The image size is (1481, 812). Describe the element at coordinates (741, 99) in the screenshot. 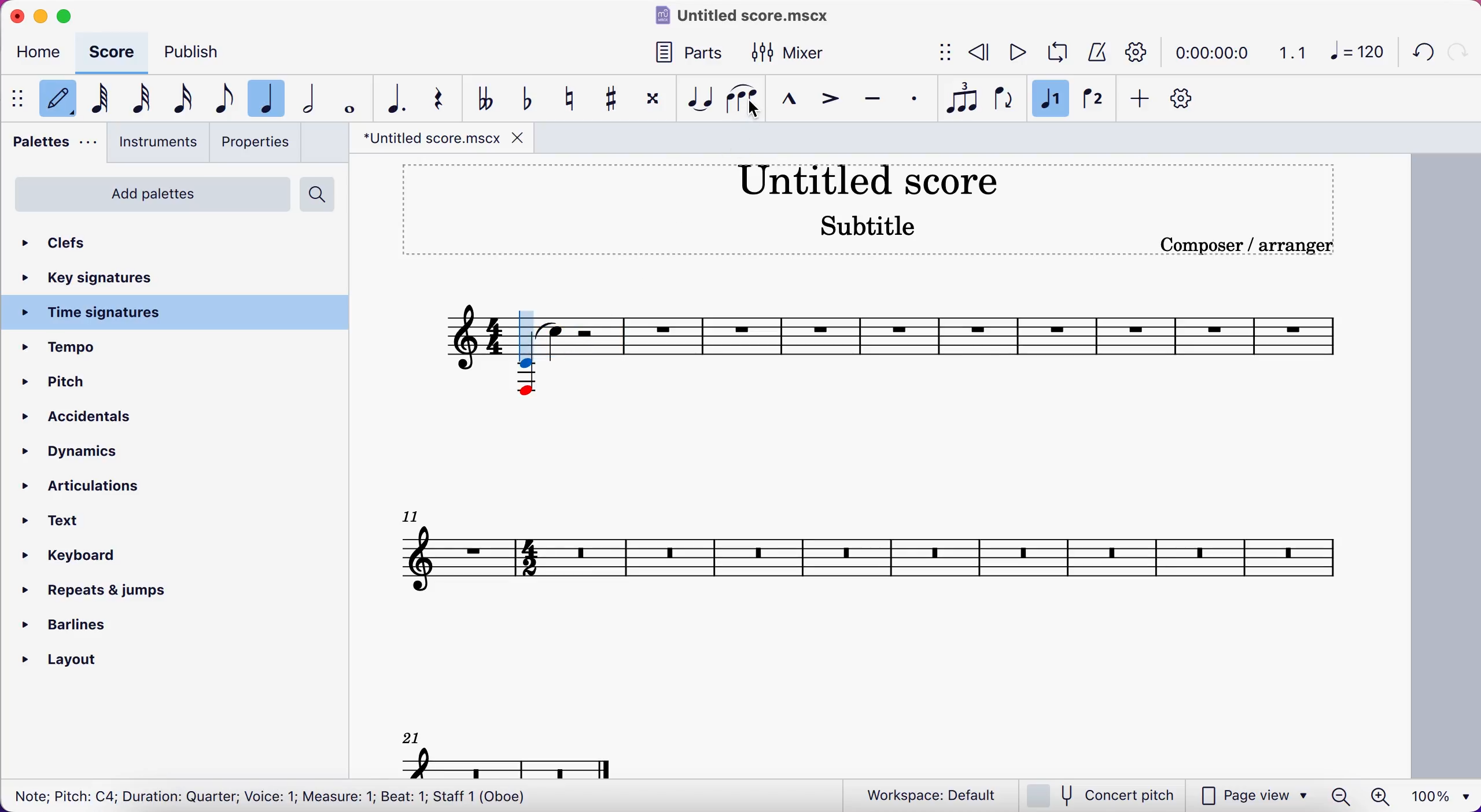

I see `slur` at that location.